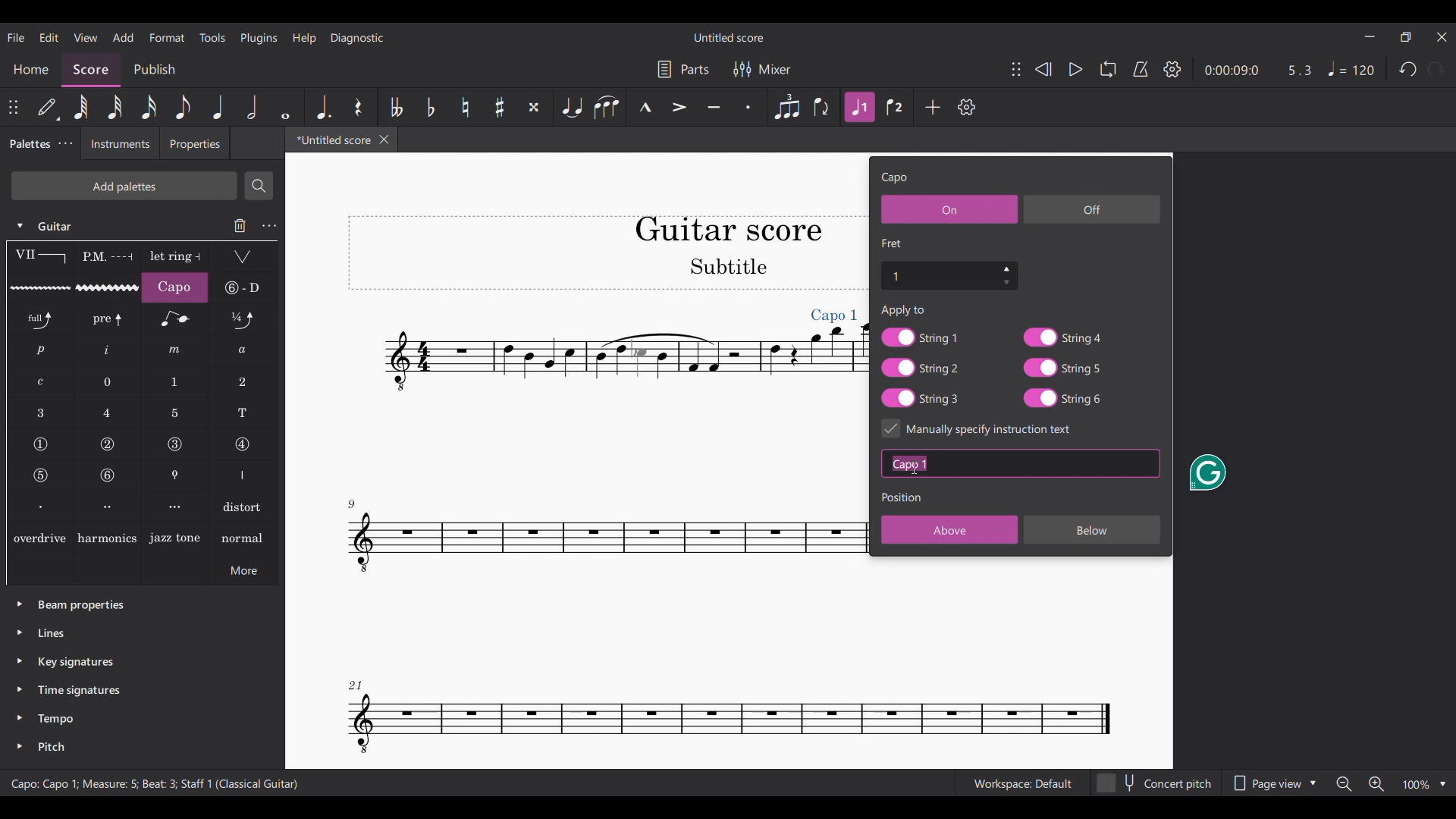  What do you see at coordinates (108, 475) in the screenshot?
I see `String number 6` at bounding box center [108, 475].